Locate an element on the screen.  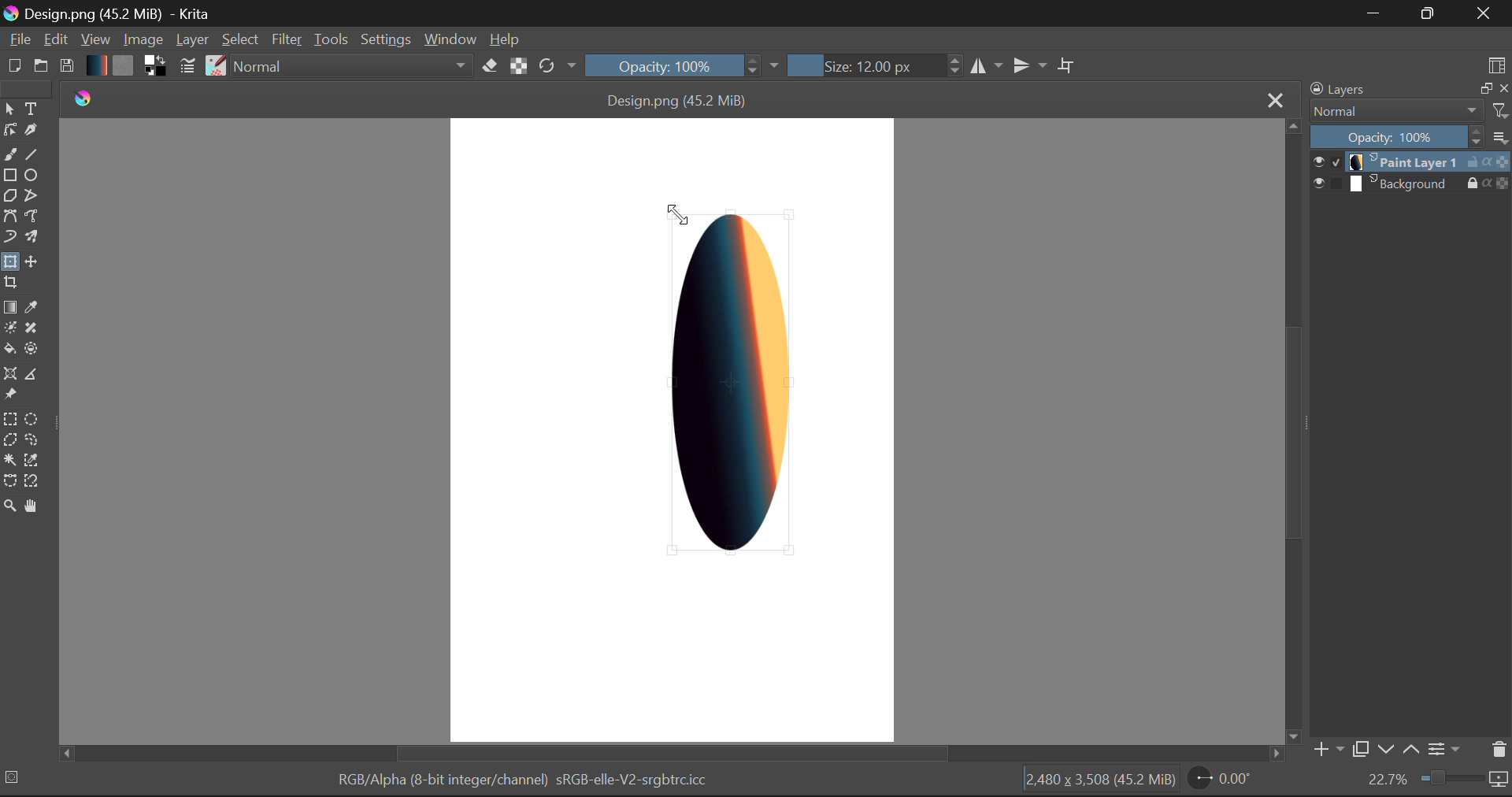
Delete Layer is located at coordinates (1497, 749).